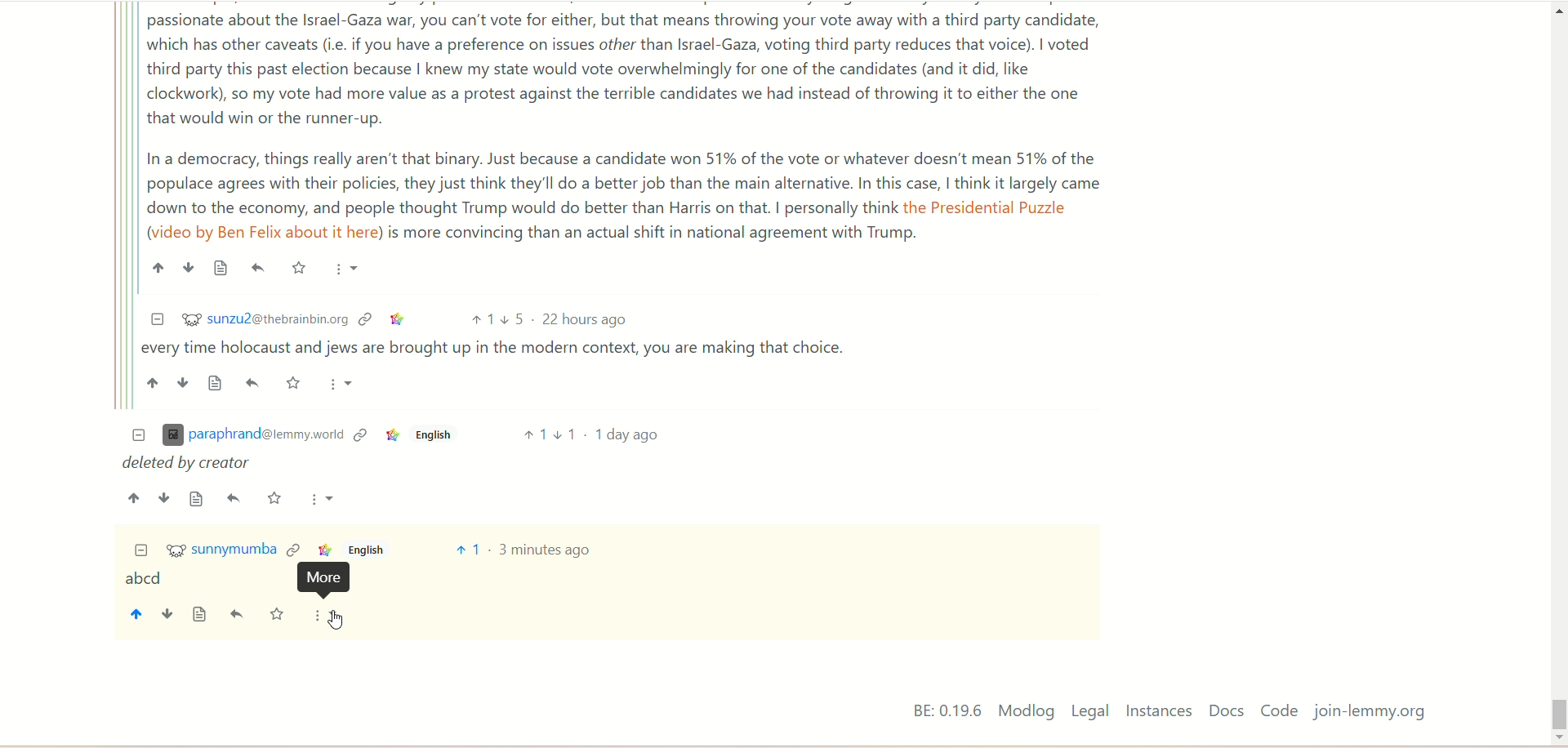 The width and height of the screenshot is (1568, 748). What do you see at coordinates (166, 616) in the screenshot?
I see `downvote` at bounding box center [166, 616].